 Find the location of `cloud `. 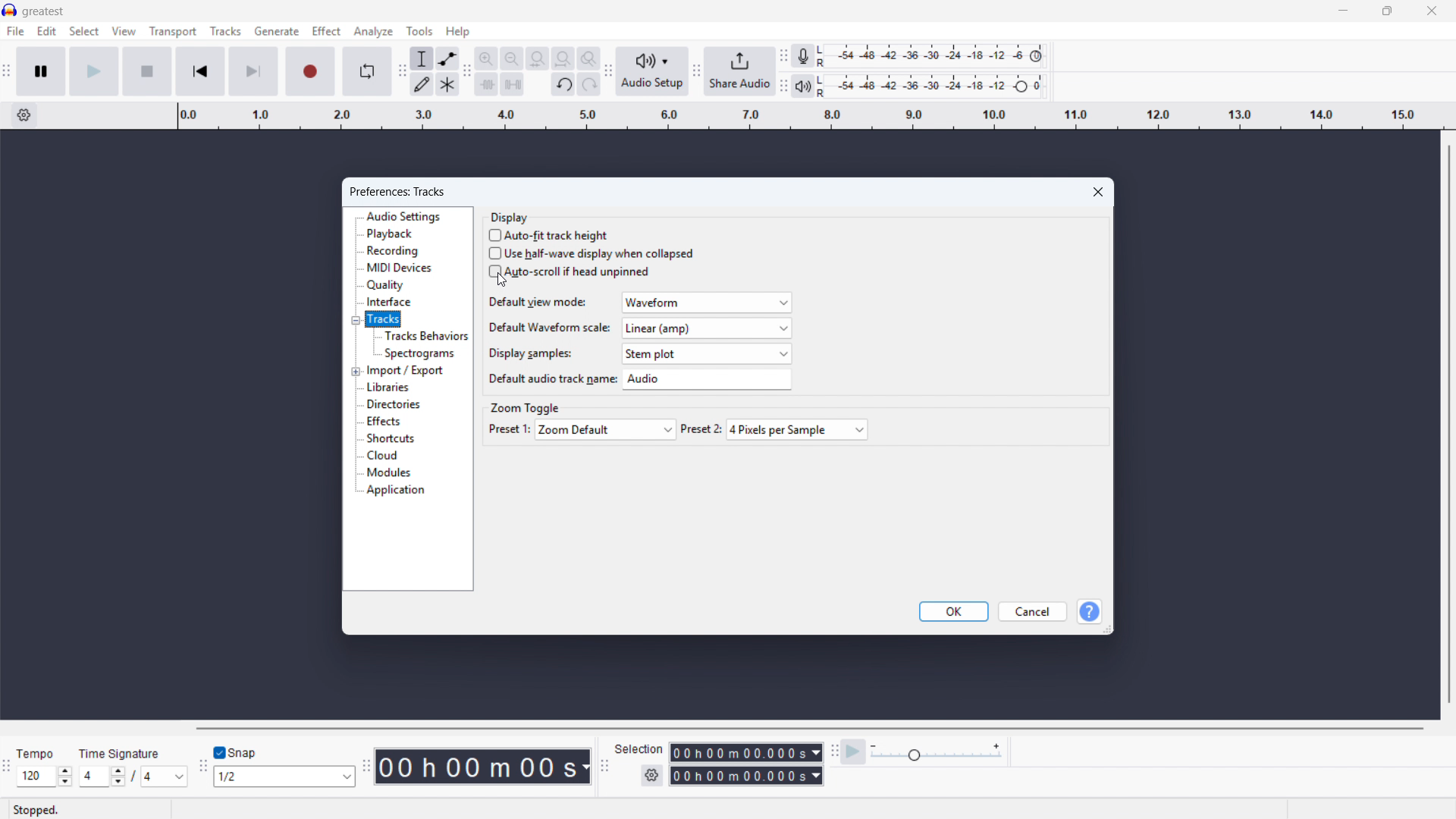

cloud  is located at coordinates (383, 456).